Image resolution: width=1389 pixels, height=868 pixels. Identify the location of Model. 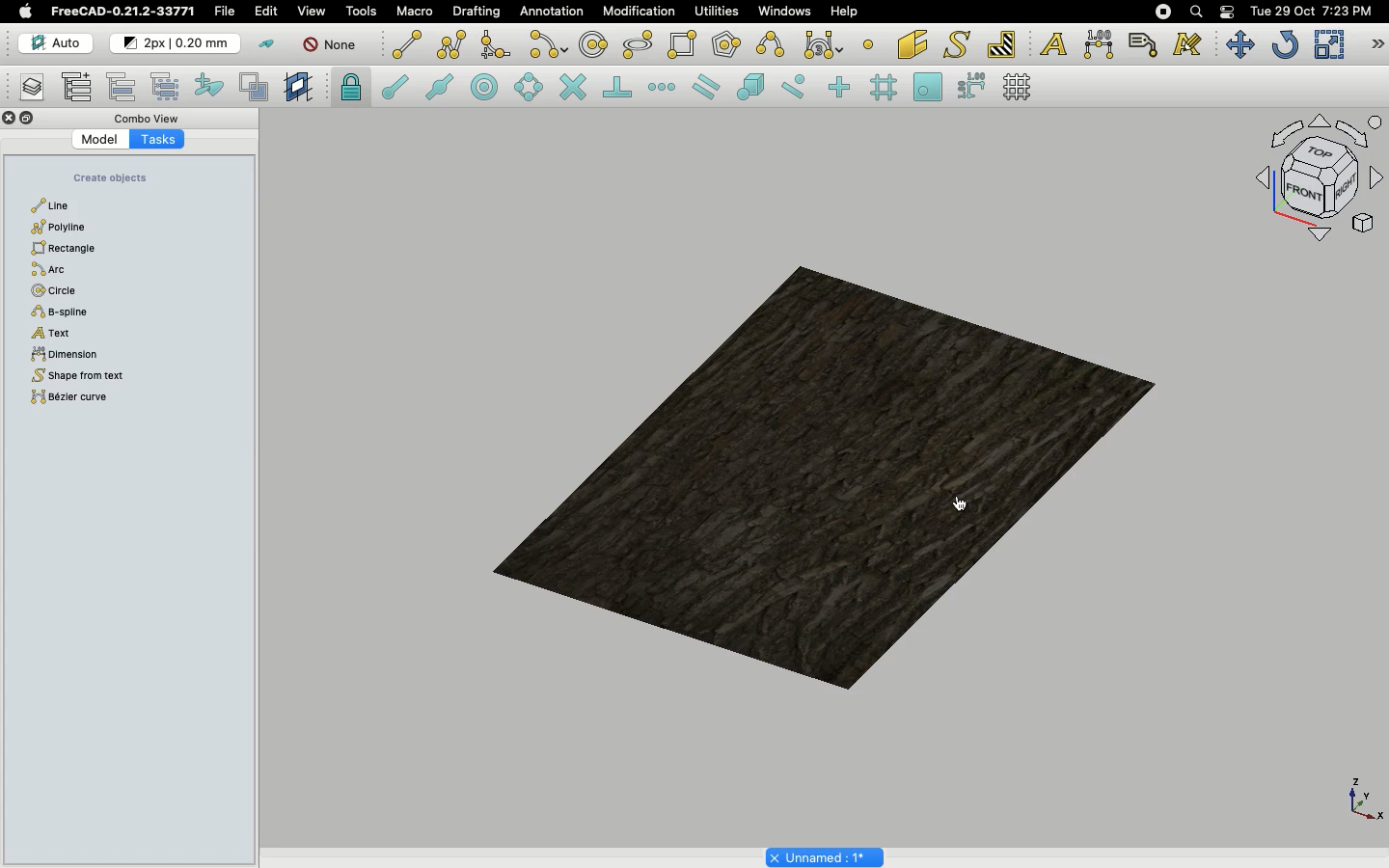
(101, 140).